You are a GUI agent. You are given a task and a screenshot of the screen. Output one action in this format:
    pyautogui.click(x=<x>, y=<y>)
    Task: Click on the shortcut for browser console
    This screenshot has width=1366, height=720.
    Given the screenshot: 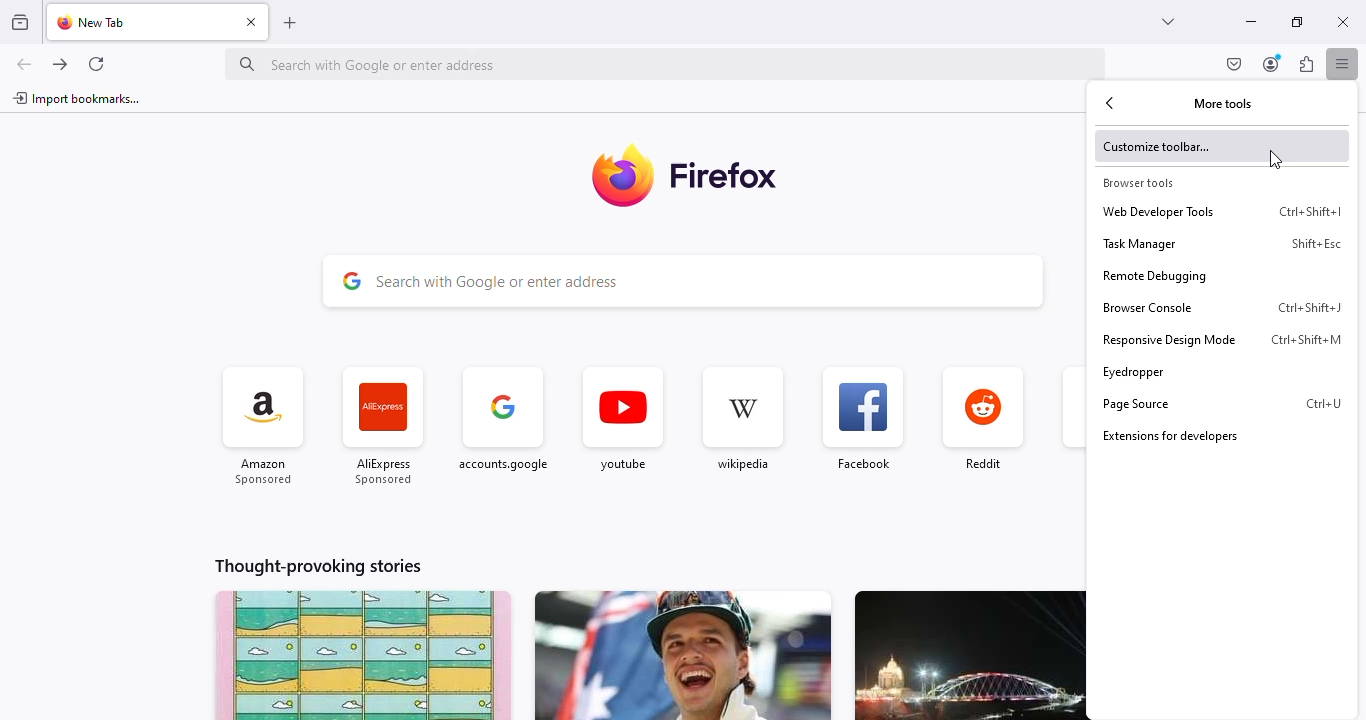 What is the action you would take?
    pyautogui.click(x=1311, y=308)
    